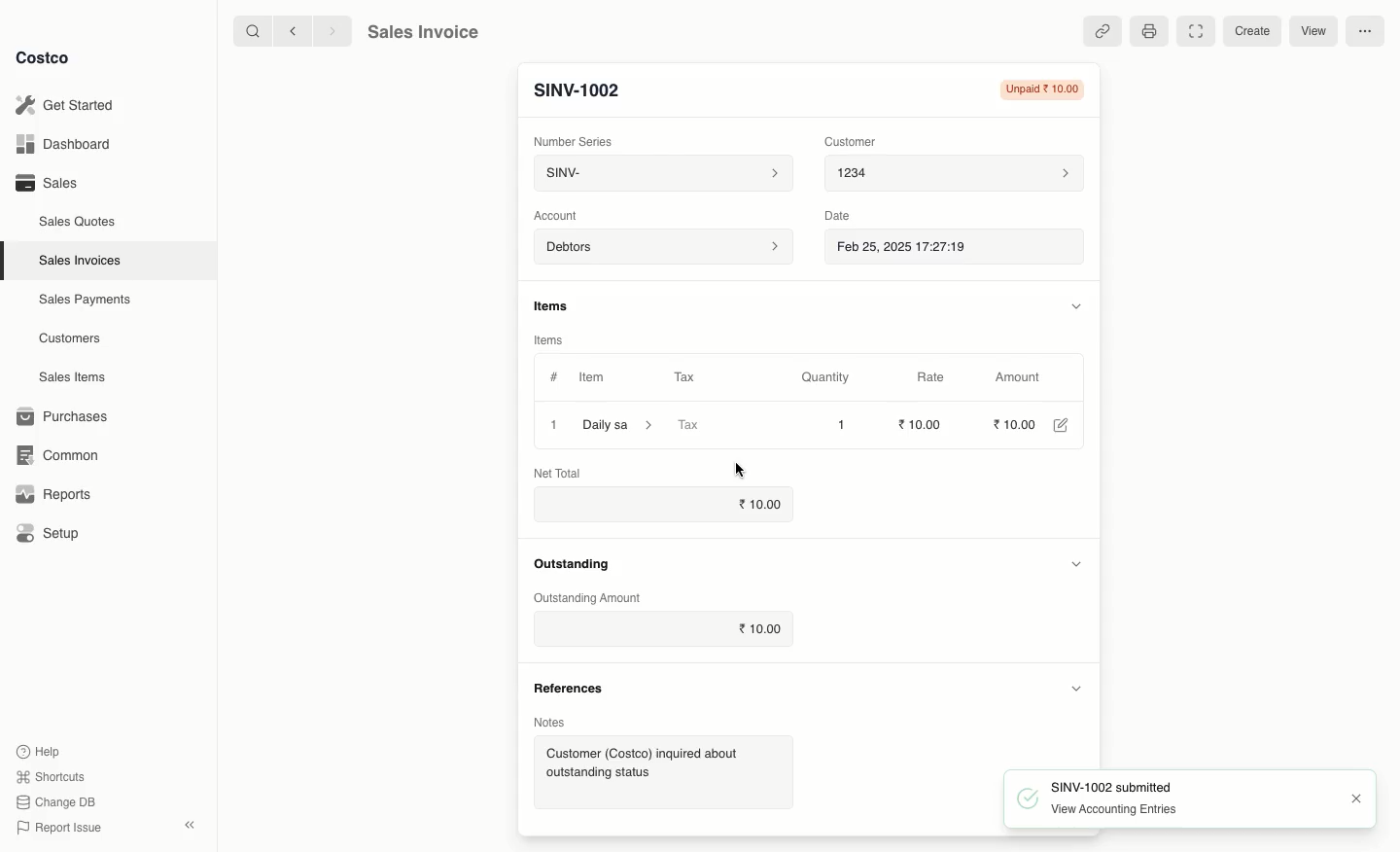 The width and height of the screenshot is (1400, 852). I want to click on Change DB, so click(57, 801).